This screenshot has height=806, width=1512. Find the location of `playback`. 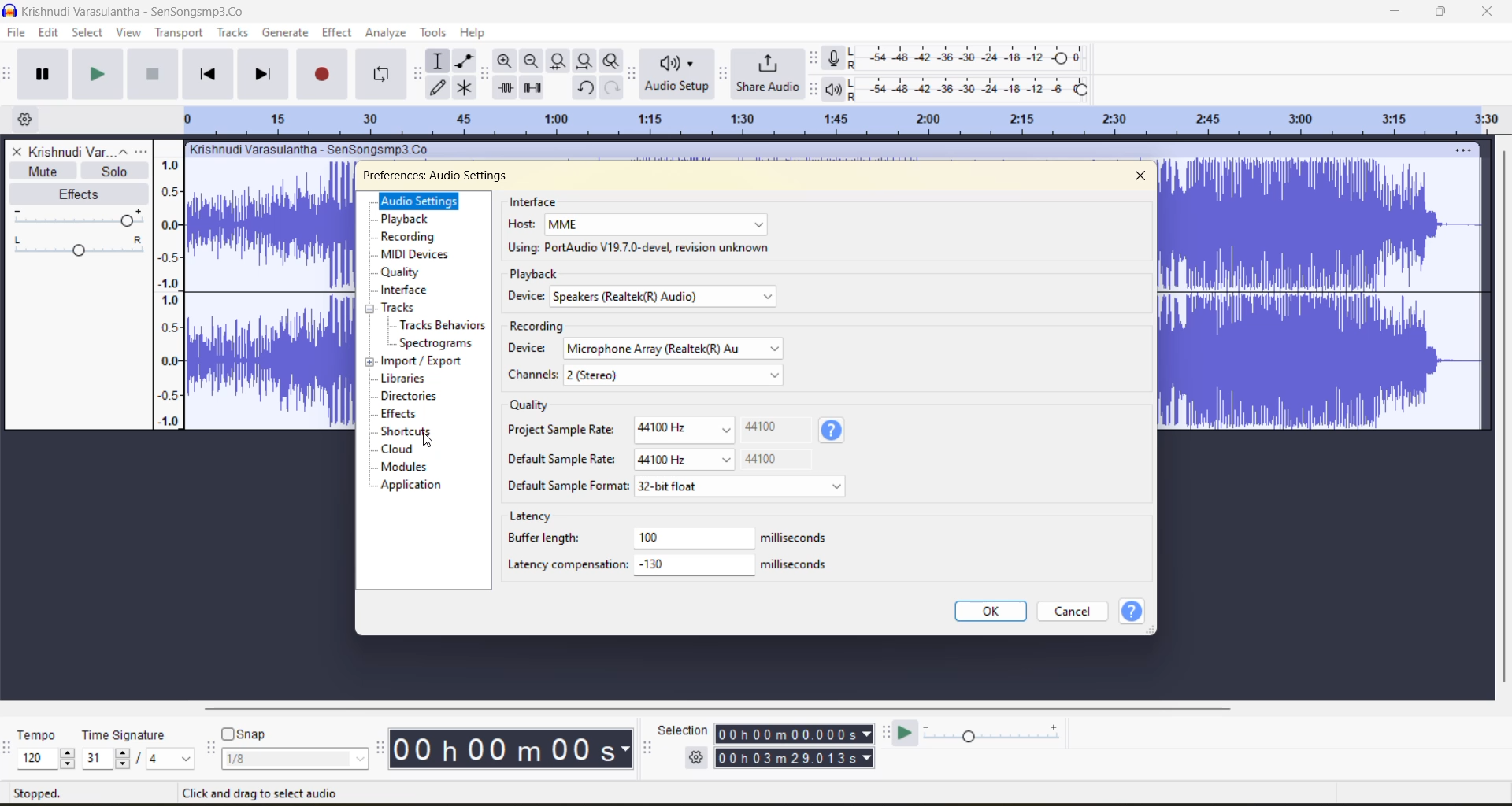

playback is located at coordinates (533, 273).